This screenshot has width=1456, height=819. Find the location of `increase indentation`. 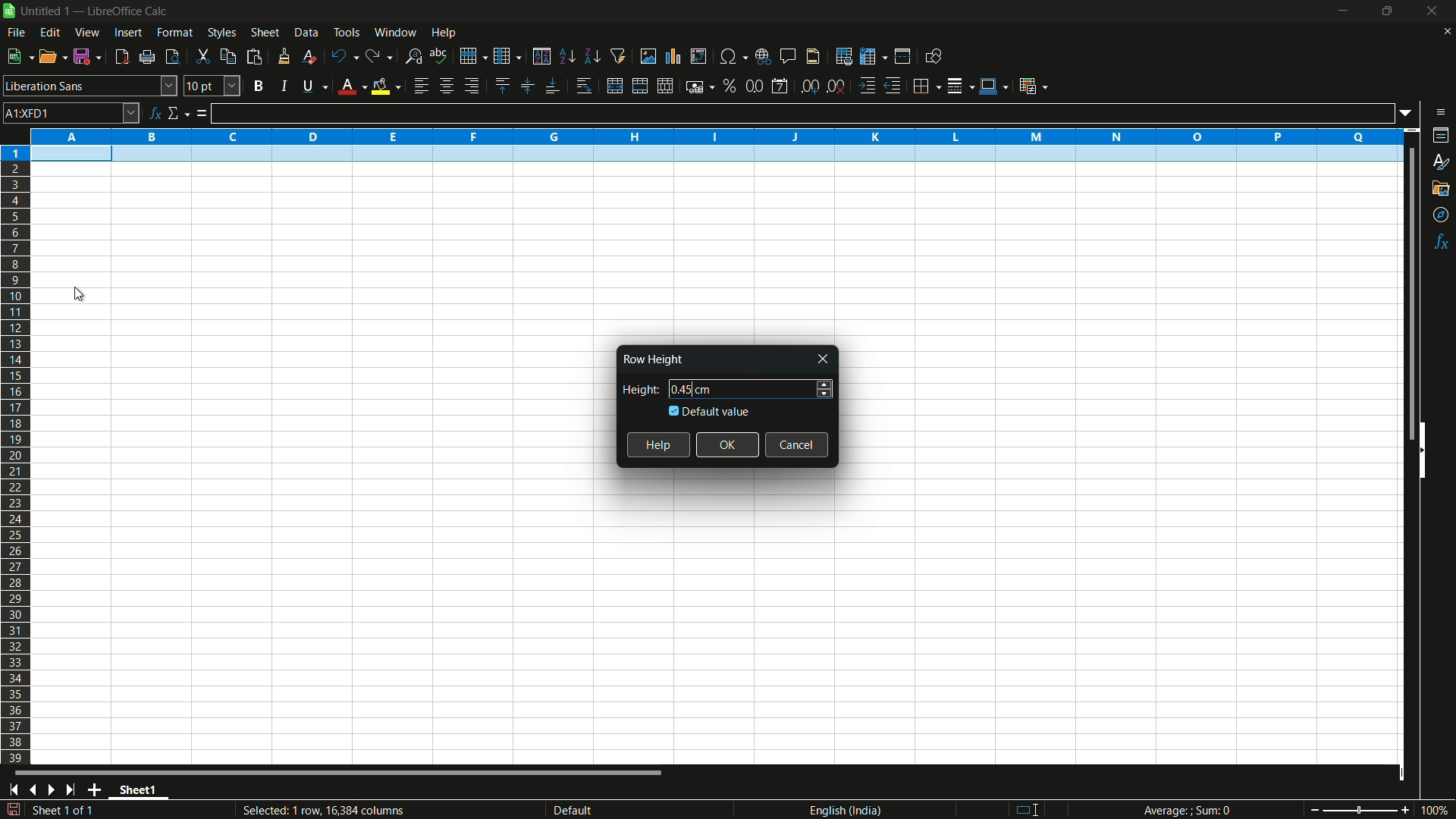

increase indentation is located at coordinates (868, 86).